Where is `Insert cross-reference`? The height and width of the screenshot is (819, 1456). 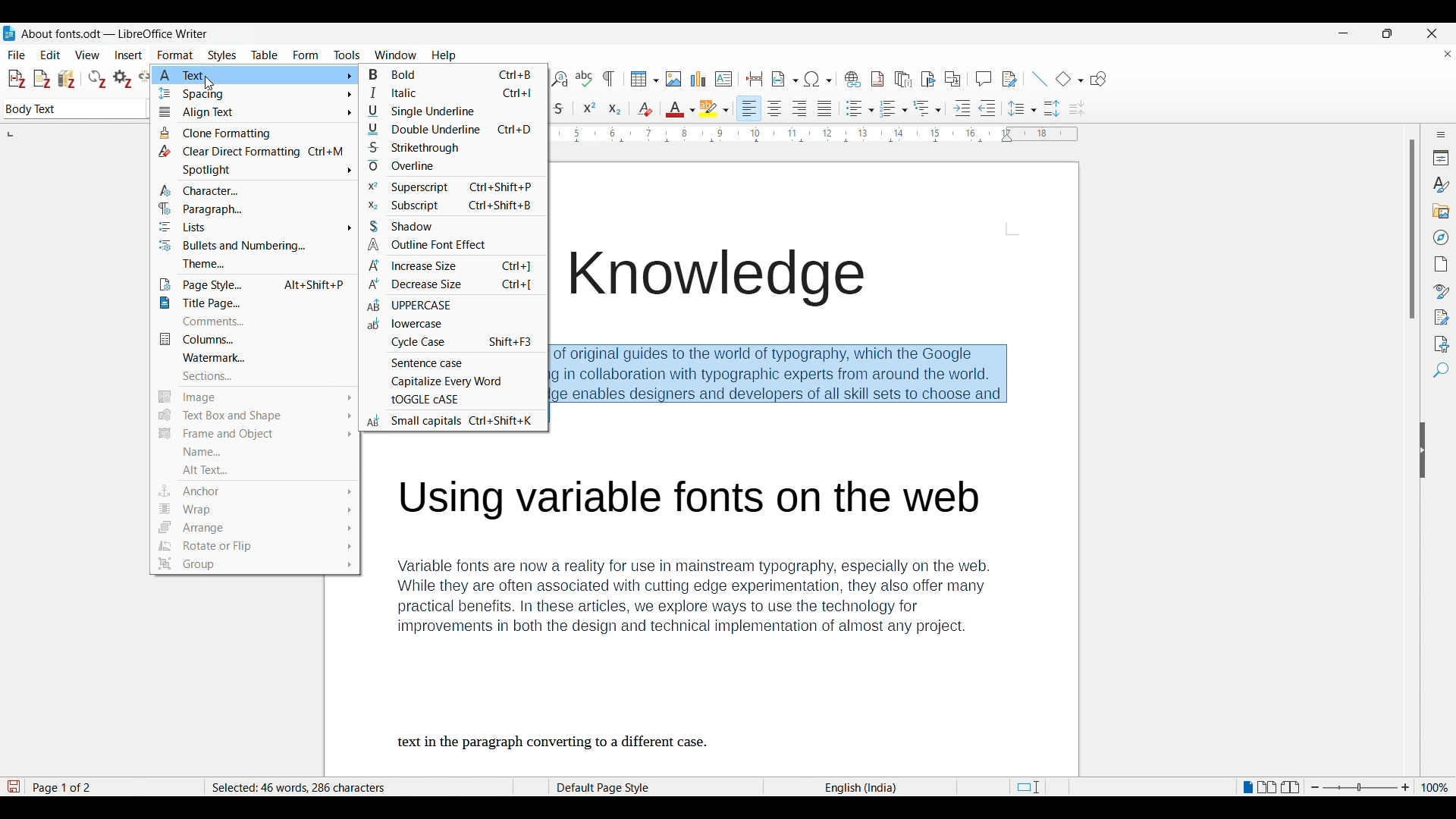
Insert cross-reference is located at coordinates (952, 79).